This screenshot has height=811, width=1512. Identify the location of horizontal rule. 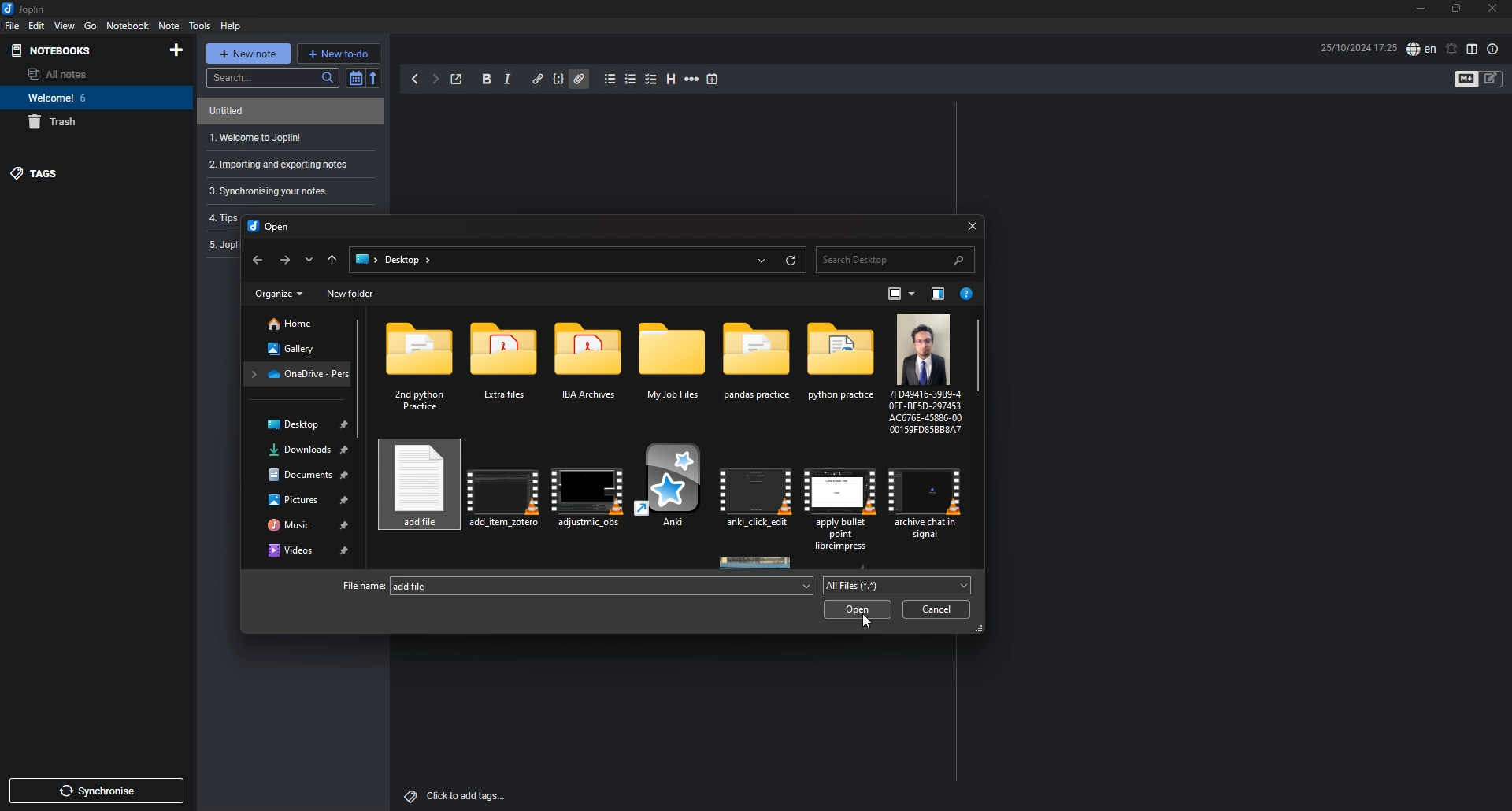
(692, 80).